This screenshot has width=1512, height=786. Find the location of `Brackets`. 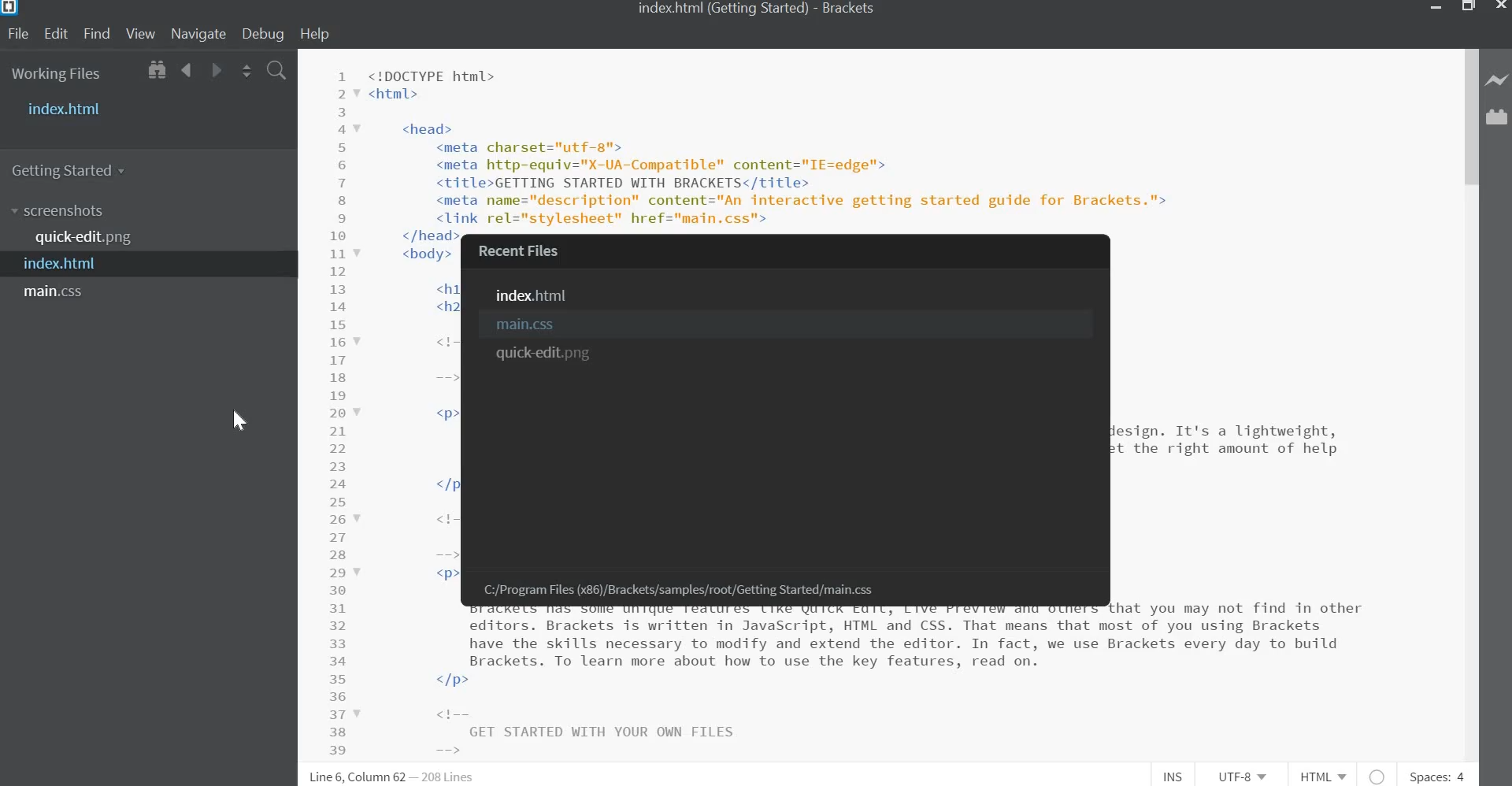

Brackets is located at coordinates (852, 10).